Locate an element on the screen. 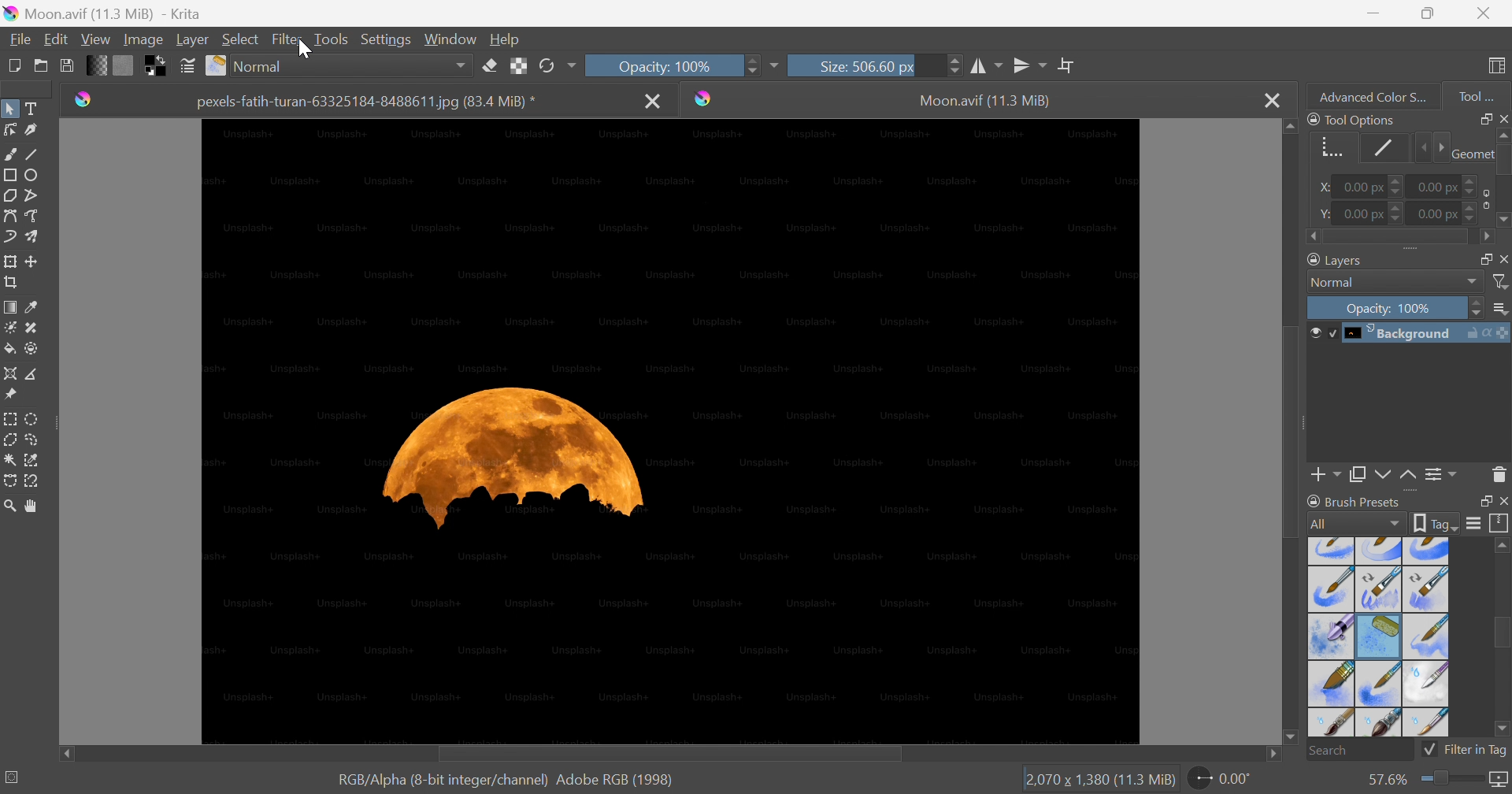 Image resolution: width=1512 pixels, height=794 pixels. Window is located at coordinates (447, 40).